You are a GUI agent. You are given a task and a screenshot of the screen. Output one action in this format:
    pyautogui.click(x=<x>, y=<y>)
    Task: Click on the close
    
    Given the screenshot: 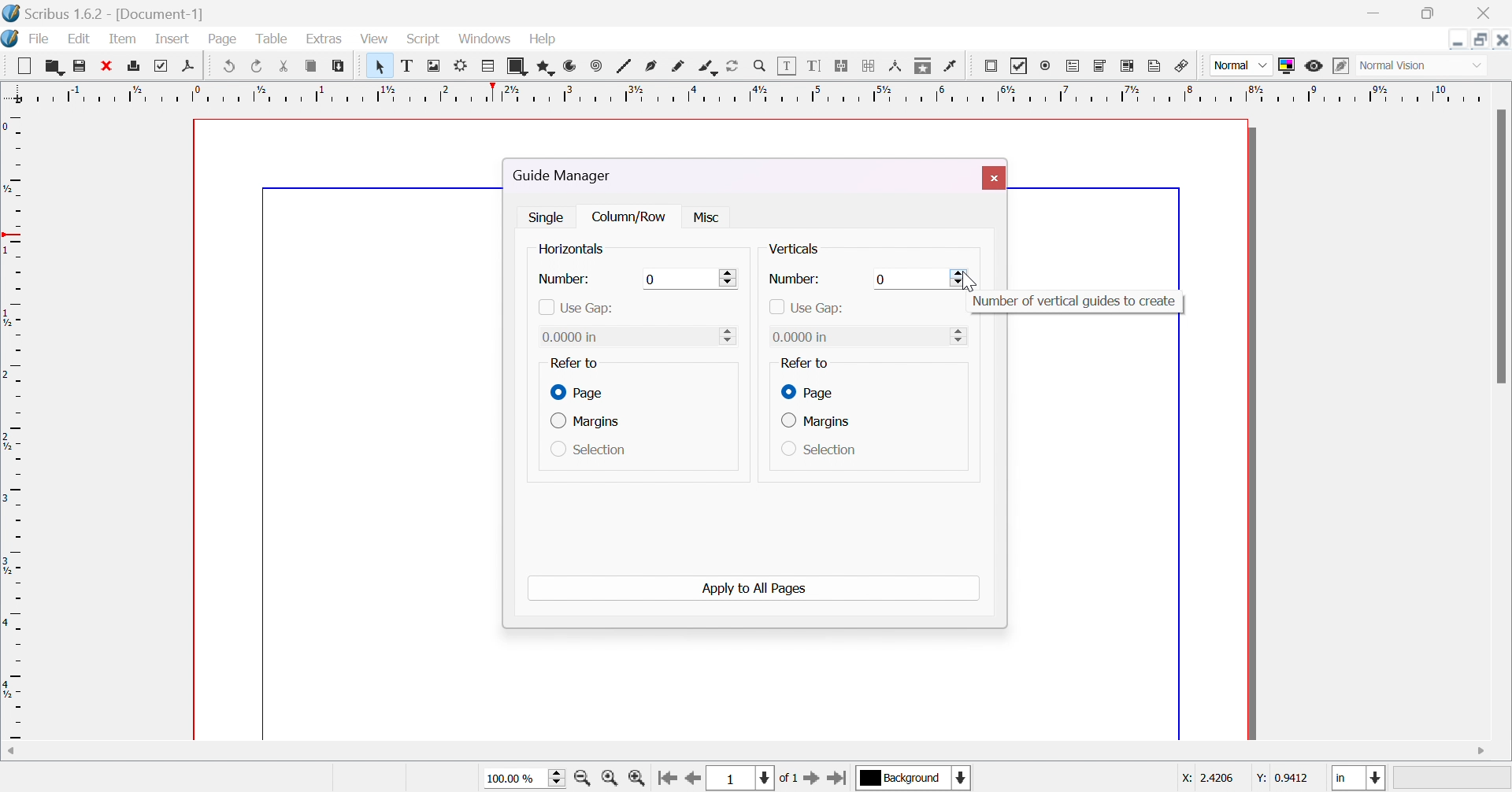 What is the action you would take?
    pyautogui.click(x=108, y=65)
    